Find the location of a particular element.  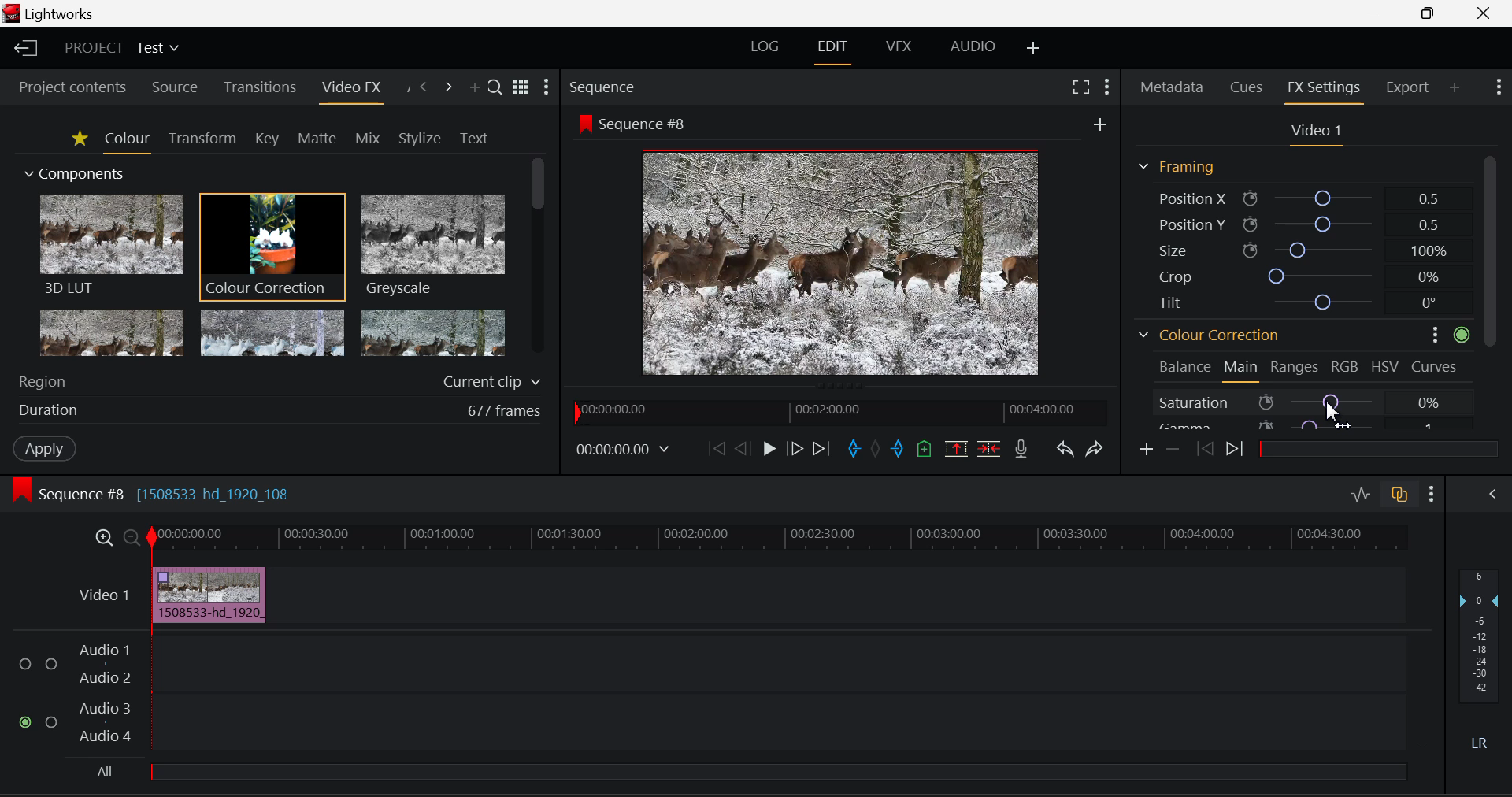

Add Panel is located at coordinates (1454, 85).